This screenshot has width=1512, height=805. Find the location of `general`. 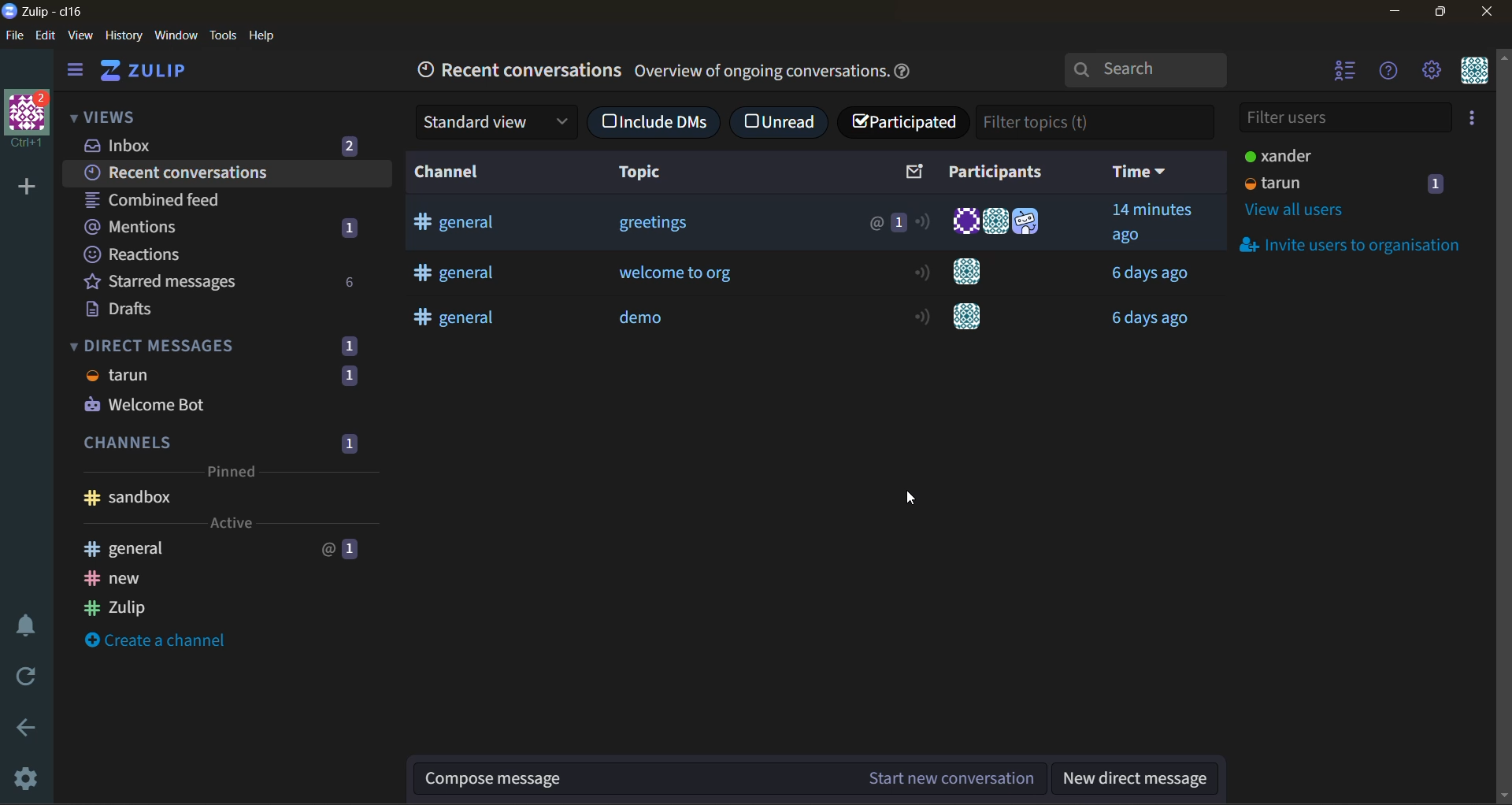

general is located at coordinates (190, 550).